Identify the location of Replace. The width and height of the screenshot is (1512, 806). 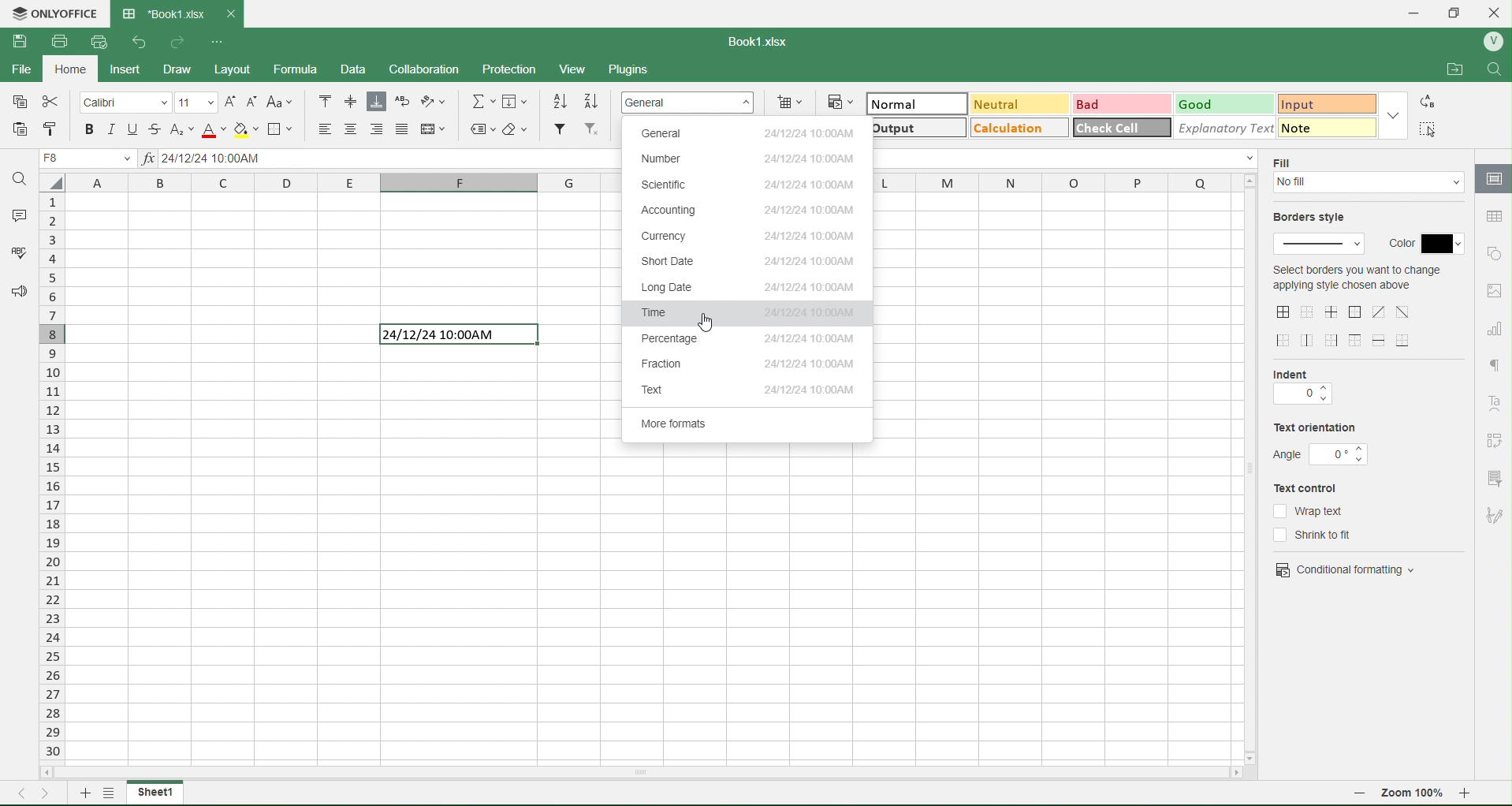
(1430, 102).